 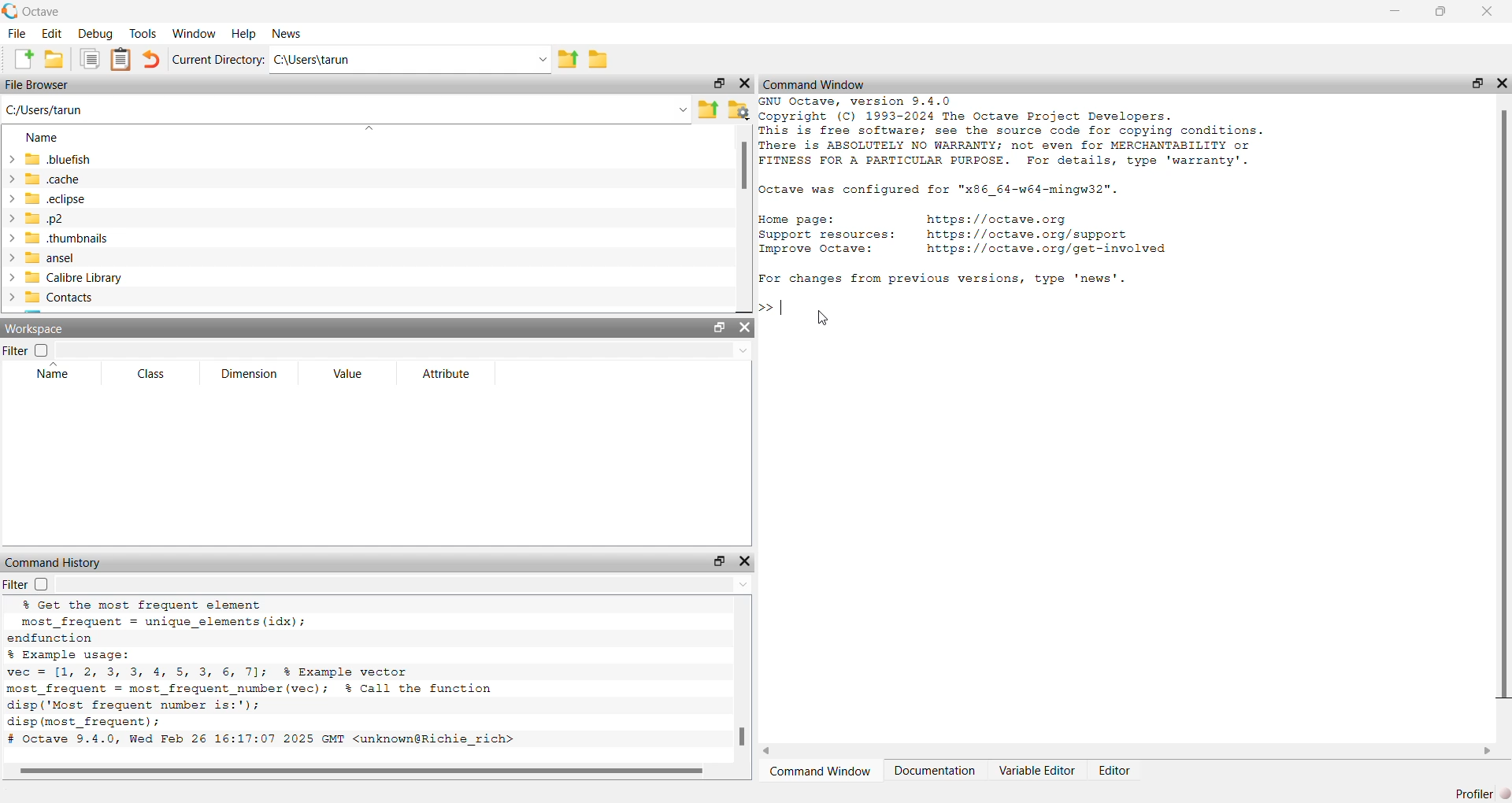 What do you see at coordinates (38, 84) in the screenshot?
I see `File Browser` at bounding box center [38, 84].